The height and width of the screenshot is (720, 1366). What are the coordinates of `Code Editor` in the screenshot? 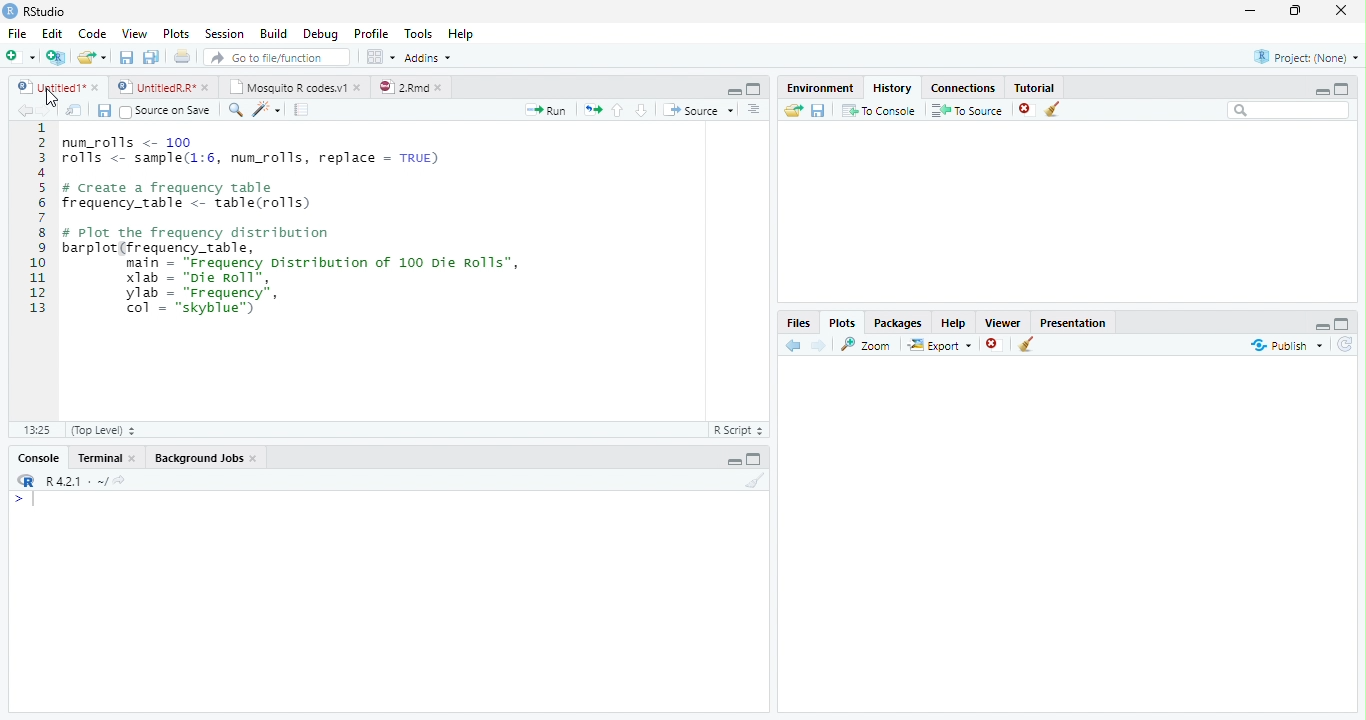 It's located at (374, 271).